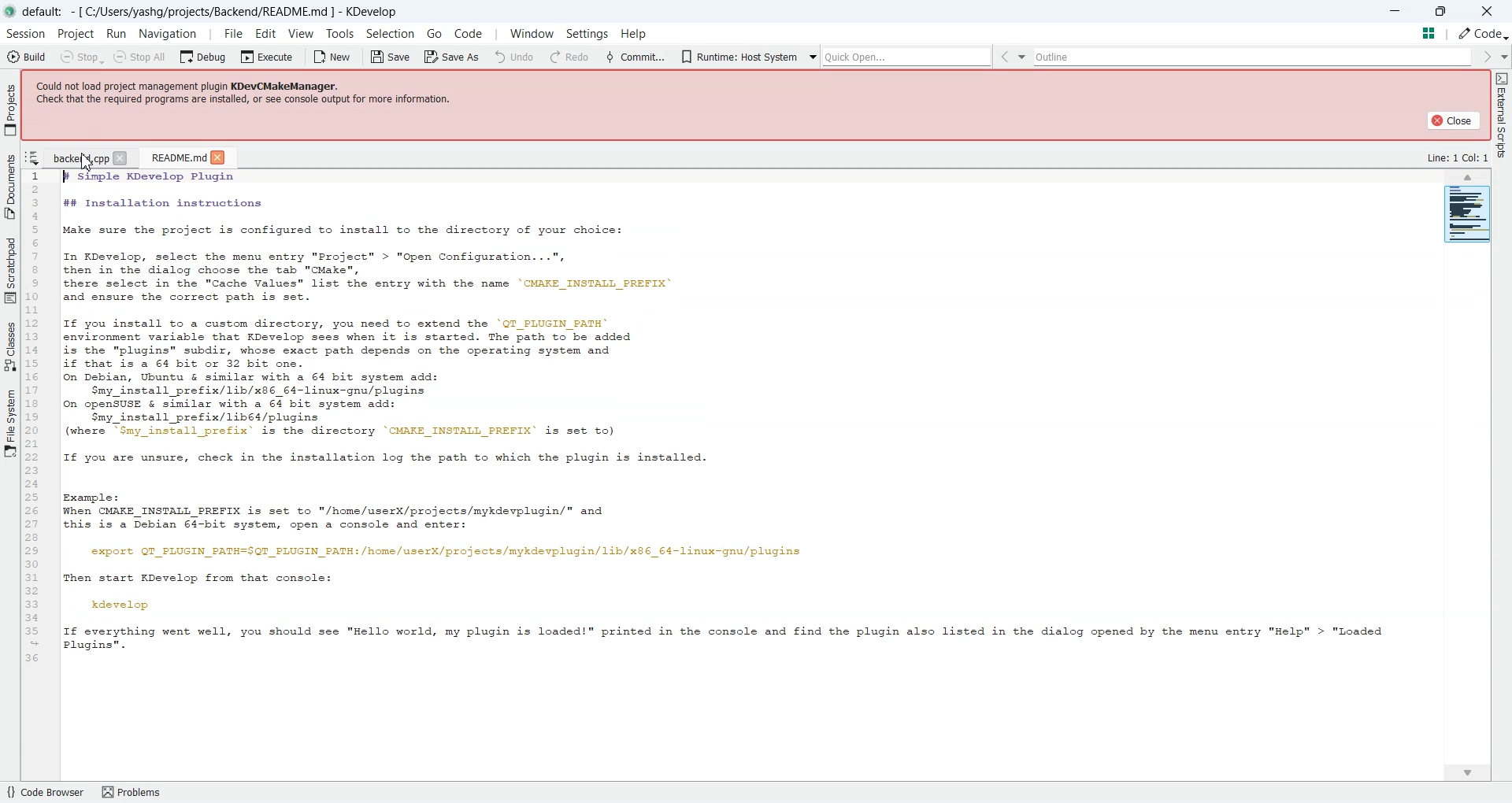 This screenshot has width=1512, height=803. I want to click on Edit, so click(266, 33).